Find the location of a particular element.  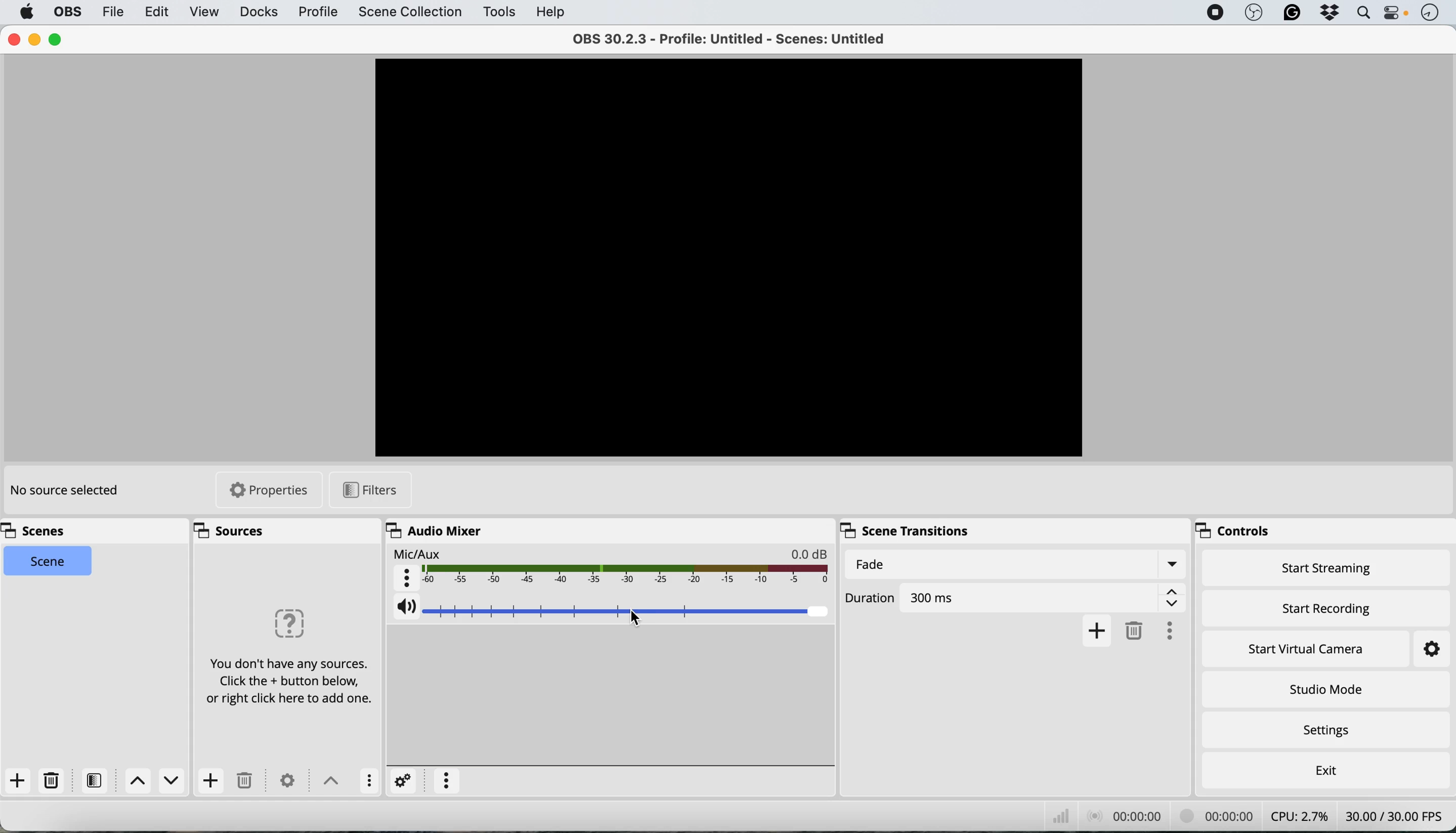

settings is located at coordinates (405, 779).